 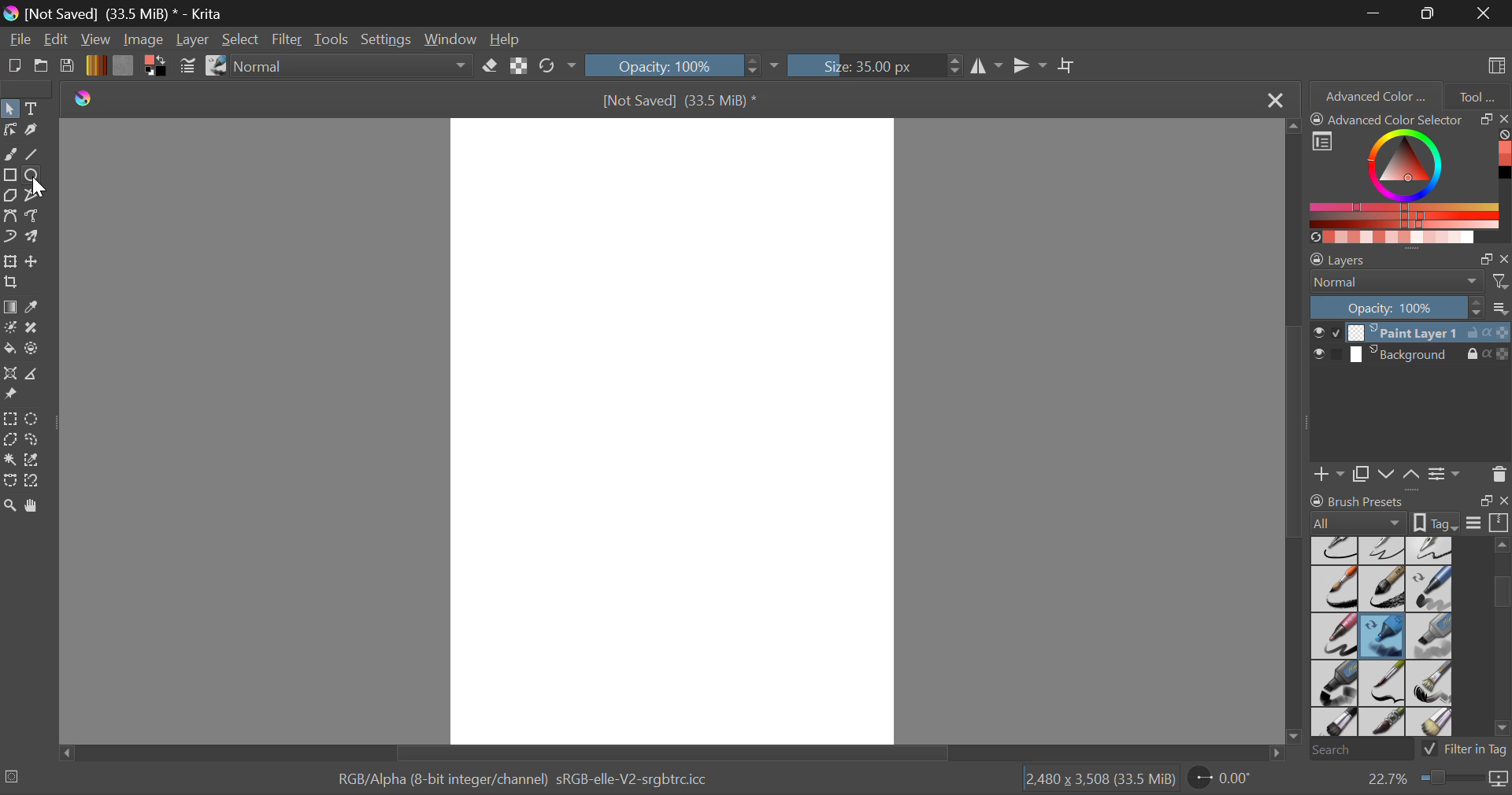 I want to click on Assistant Tool, so click(x=11, y=375).